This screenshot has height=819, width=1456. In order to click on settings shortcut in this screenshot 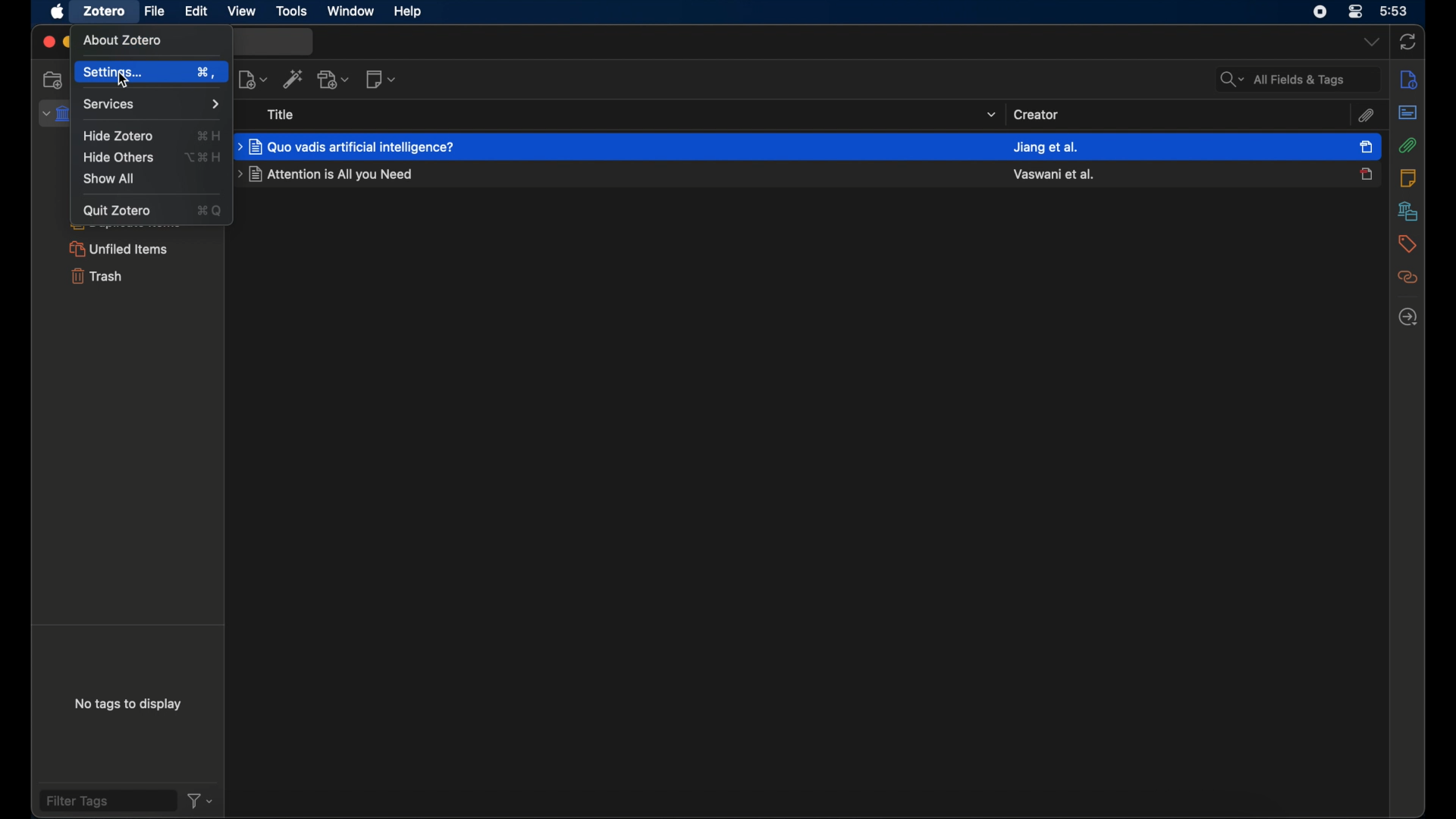, I will do `click(206, 73)`.